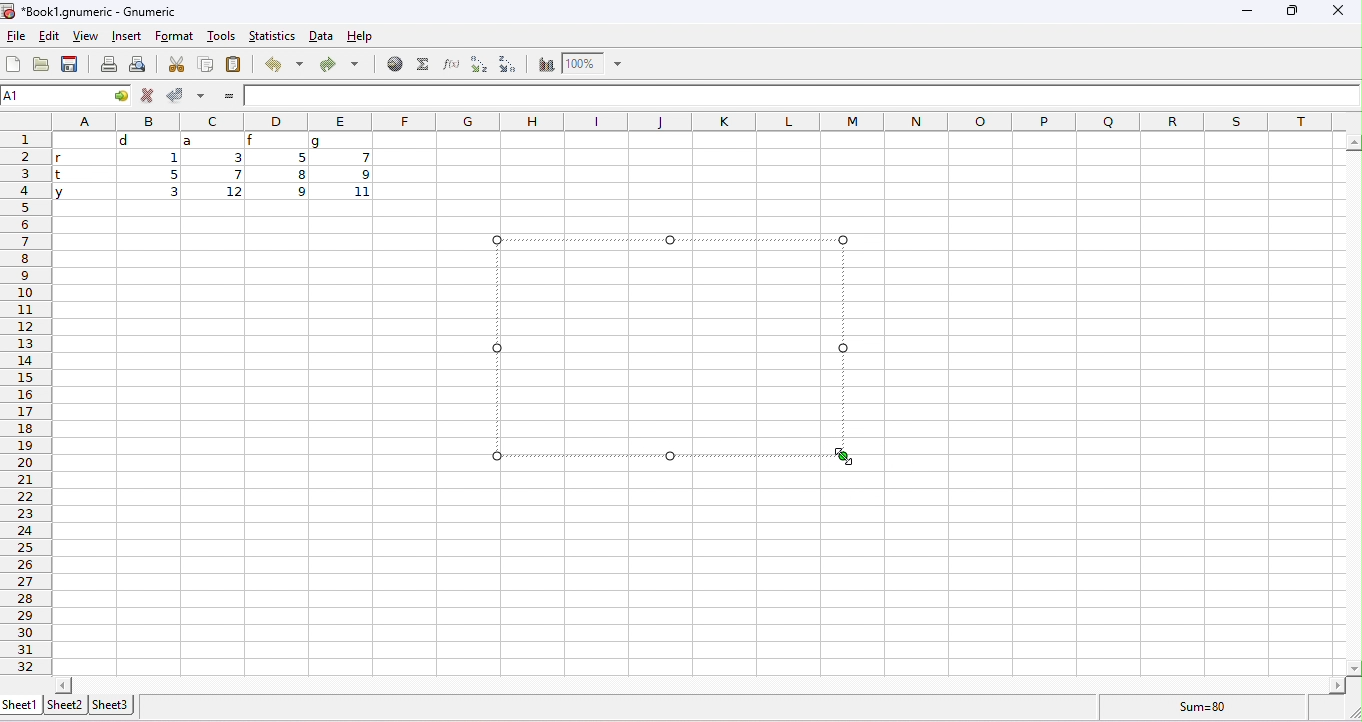  What do you see at coordinates (847, 457) in the screenshot?
I see `cursor at mouse up` at bounding box center [847, 457].